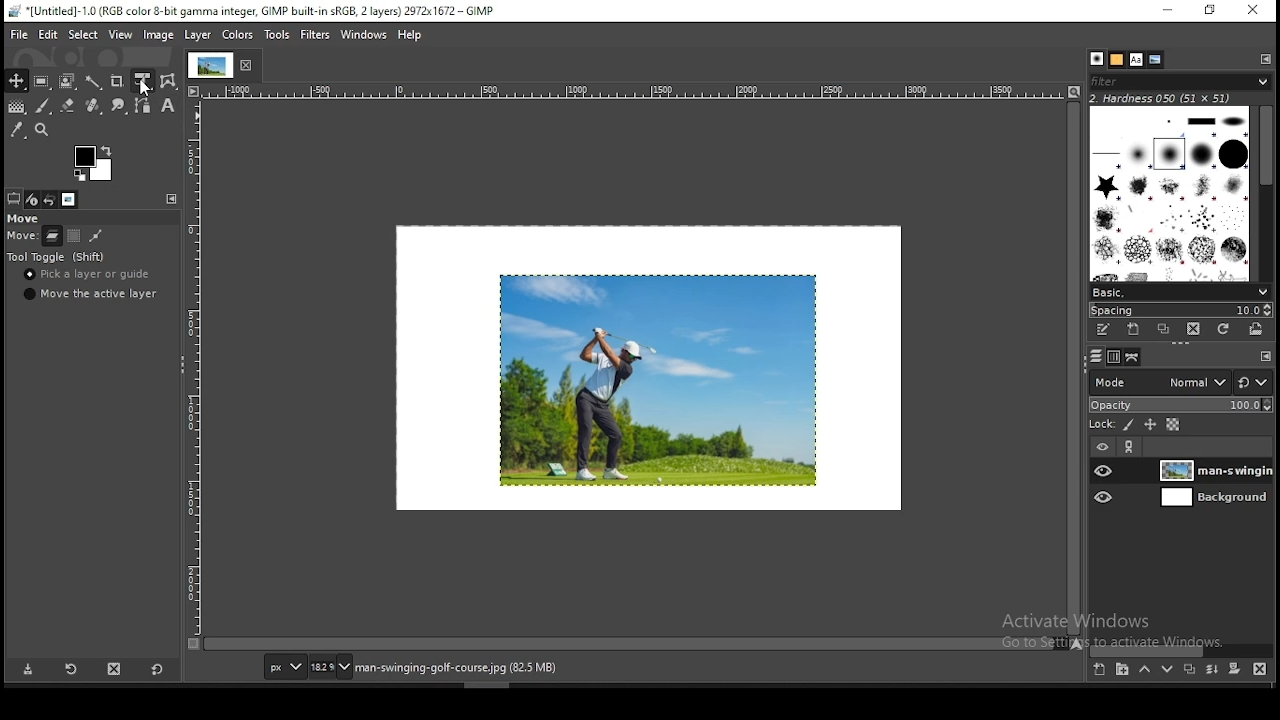 The image size is (1280, 720). Describe the element at coordinates (1073, 369) in the screenshot. I see `scroll bar` at that location.